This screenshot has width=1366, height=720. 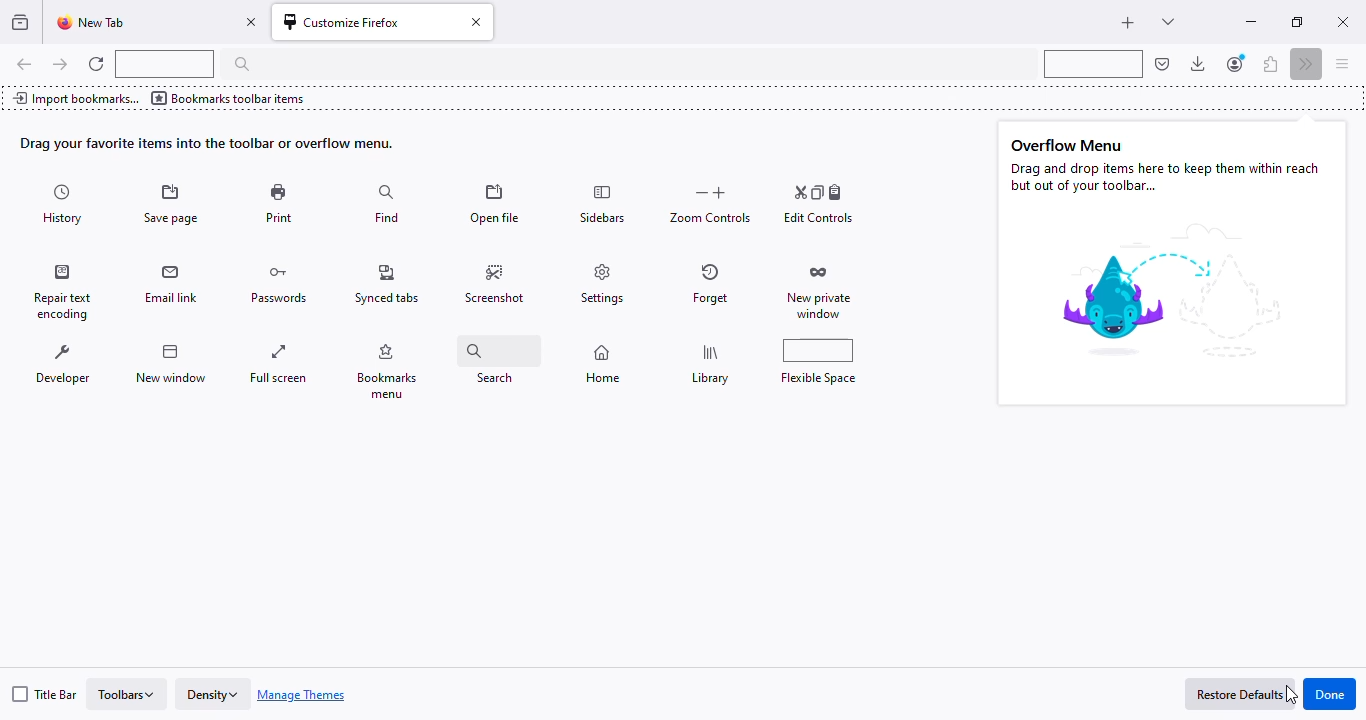 What do you see at coordinates (709, 205) in the screenshot?
I see `zoom controls` at bounding box center [709, 205].